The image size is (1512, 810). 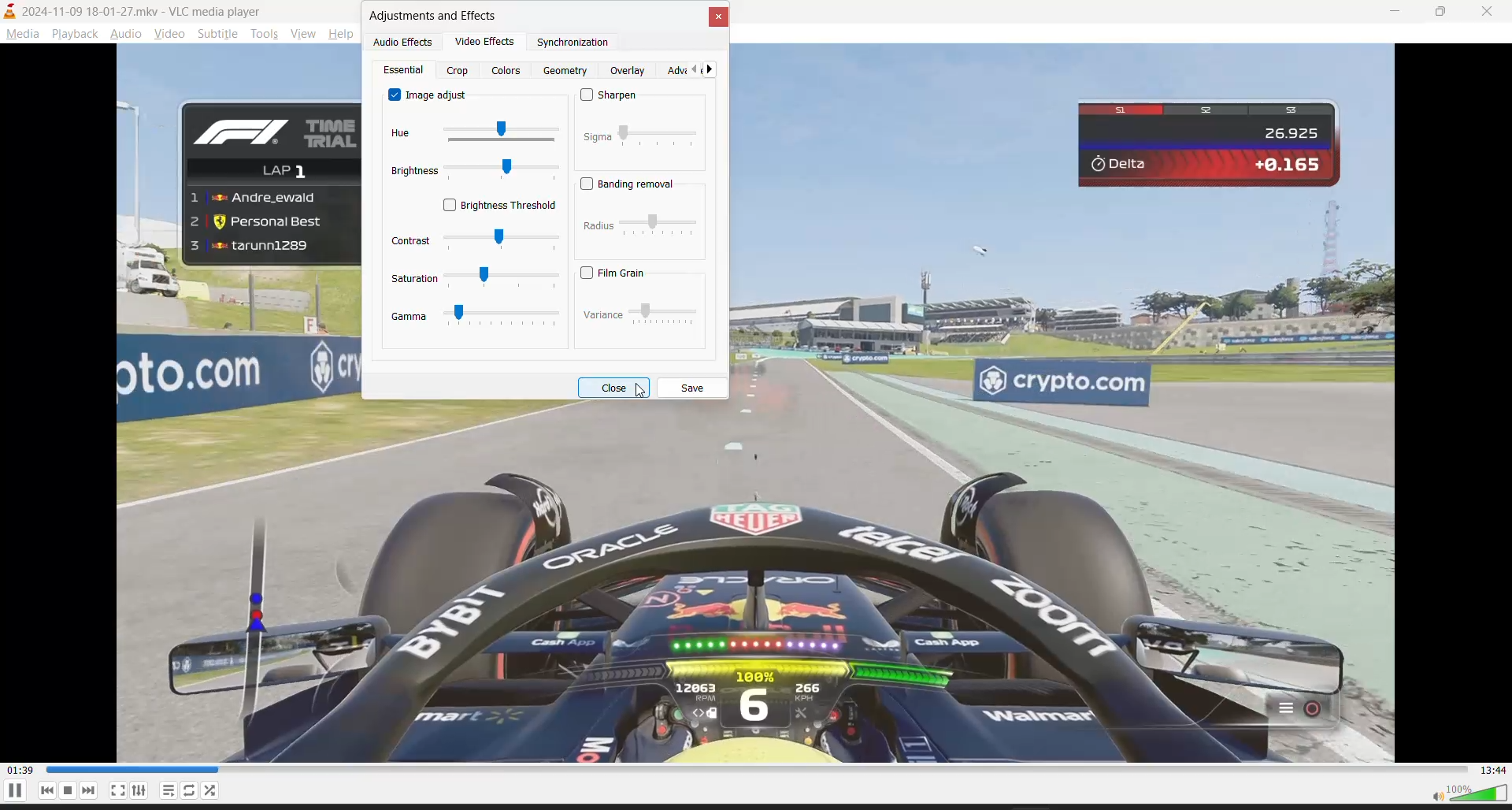 What do you see at coordinates (23, 34) in the screenshot?
I see `media` at bounding box center [23, 34].